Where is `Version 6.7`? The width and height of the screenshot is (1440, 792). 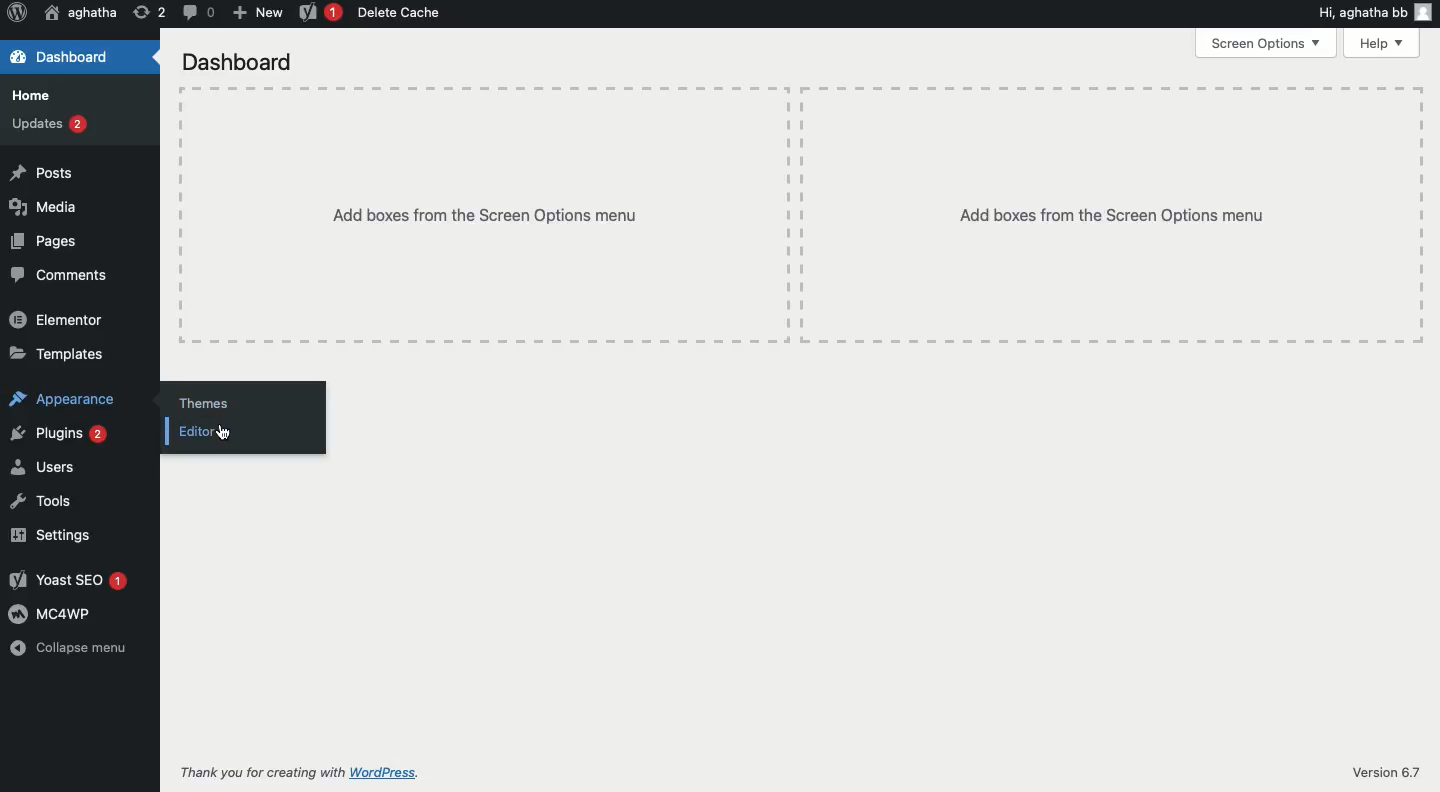
Version 6.7 is located at coordinates (1381, 771).